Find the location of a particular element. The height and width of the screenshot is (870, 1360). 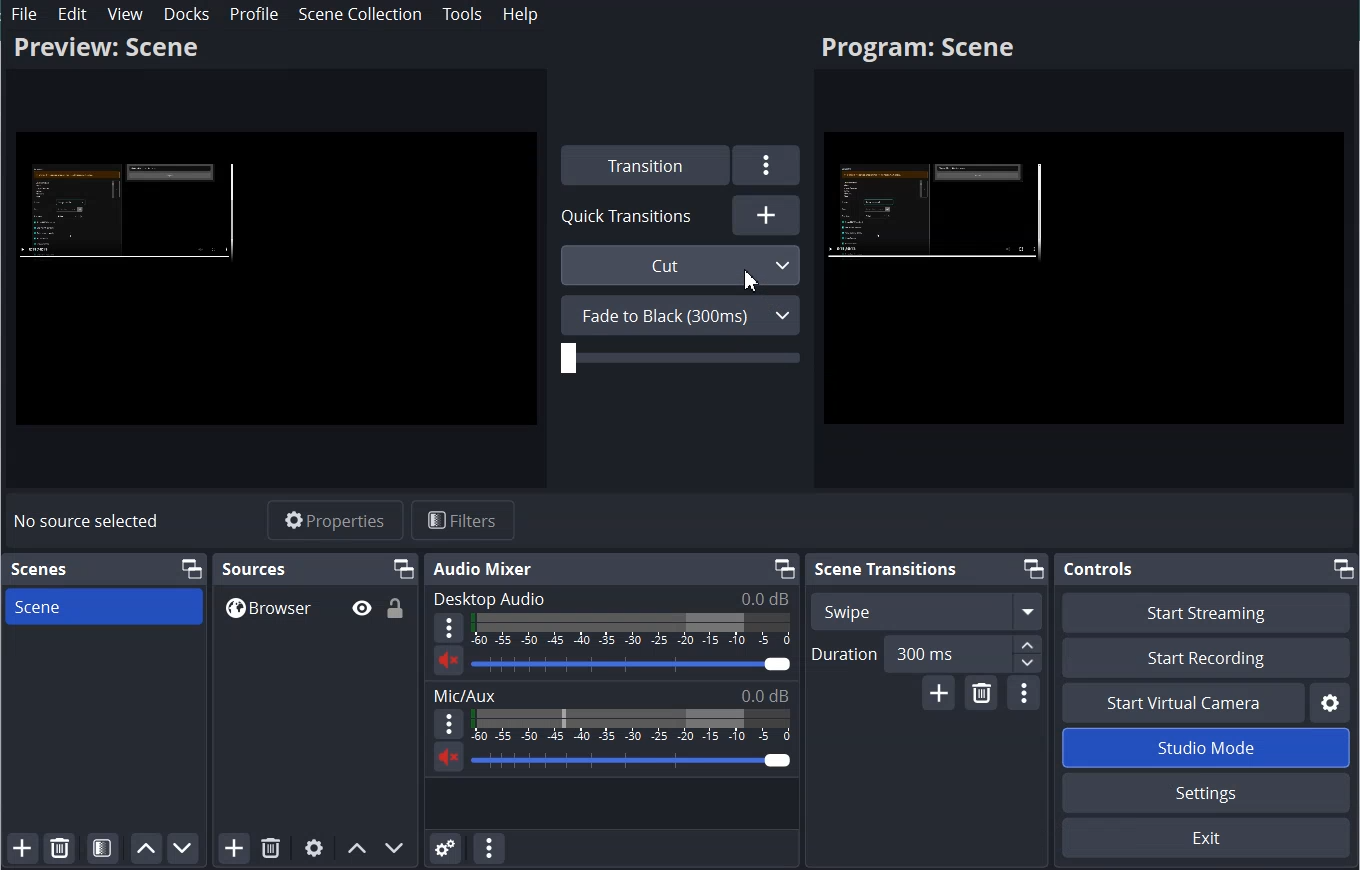

Maximize is located at coordinates (782, 568).